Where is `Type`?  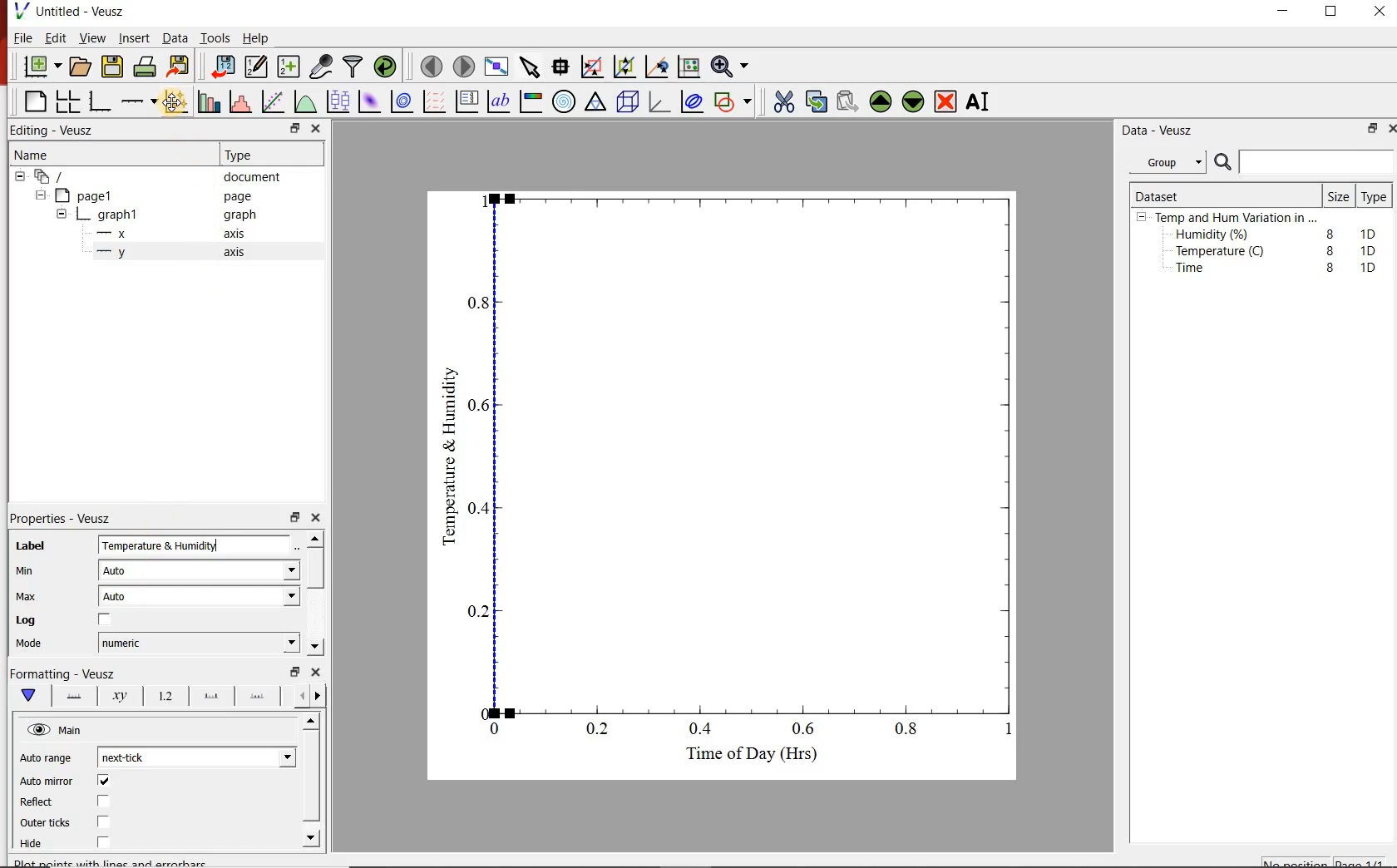 Type is located at coordinates (249, 155).